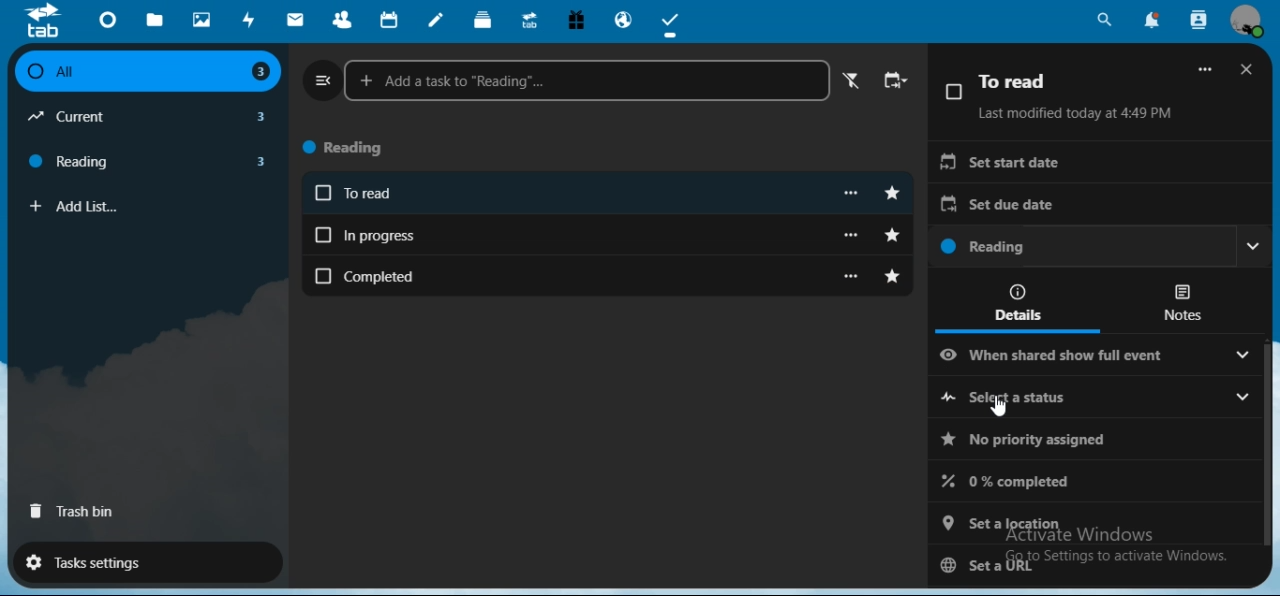  What do you see at coordinates (323, 193) in the screenshot?
I see `Checkbox` at bounding box center [323, 193].